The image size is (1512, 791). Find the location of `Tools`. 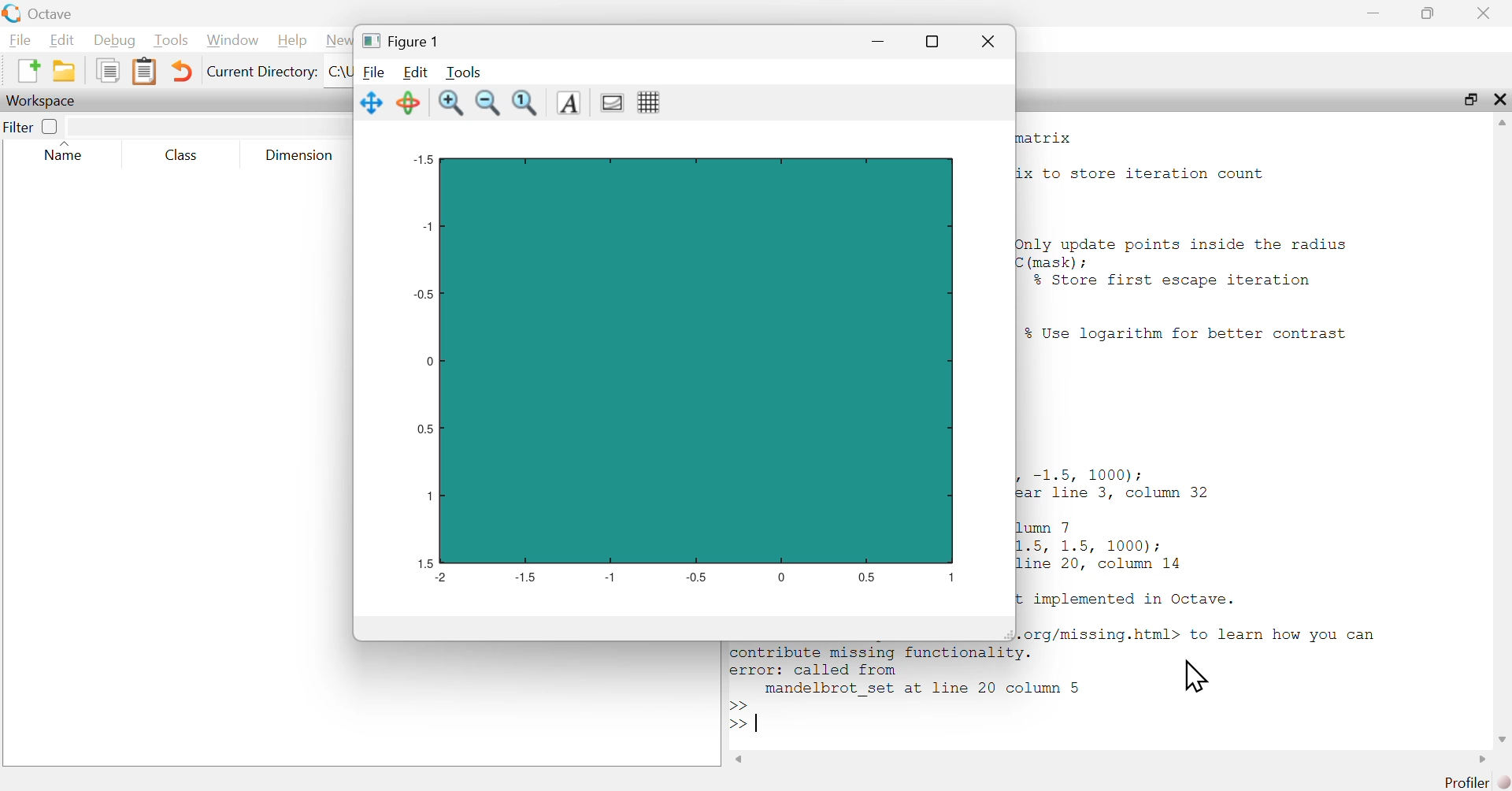

Tools is located at coordinates (169, 41).